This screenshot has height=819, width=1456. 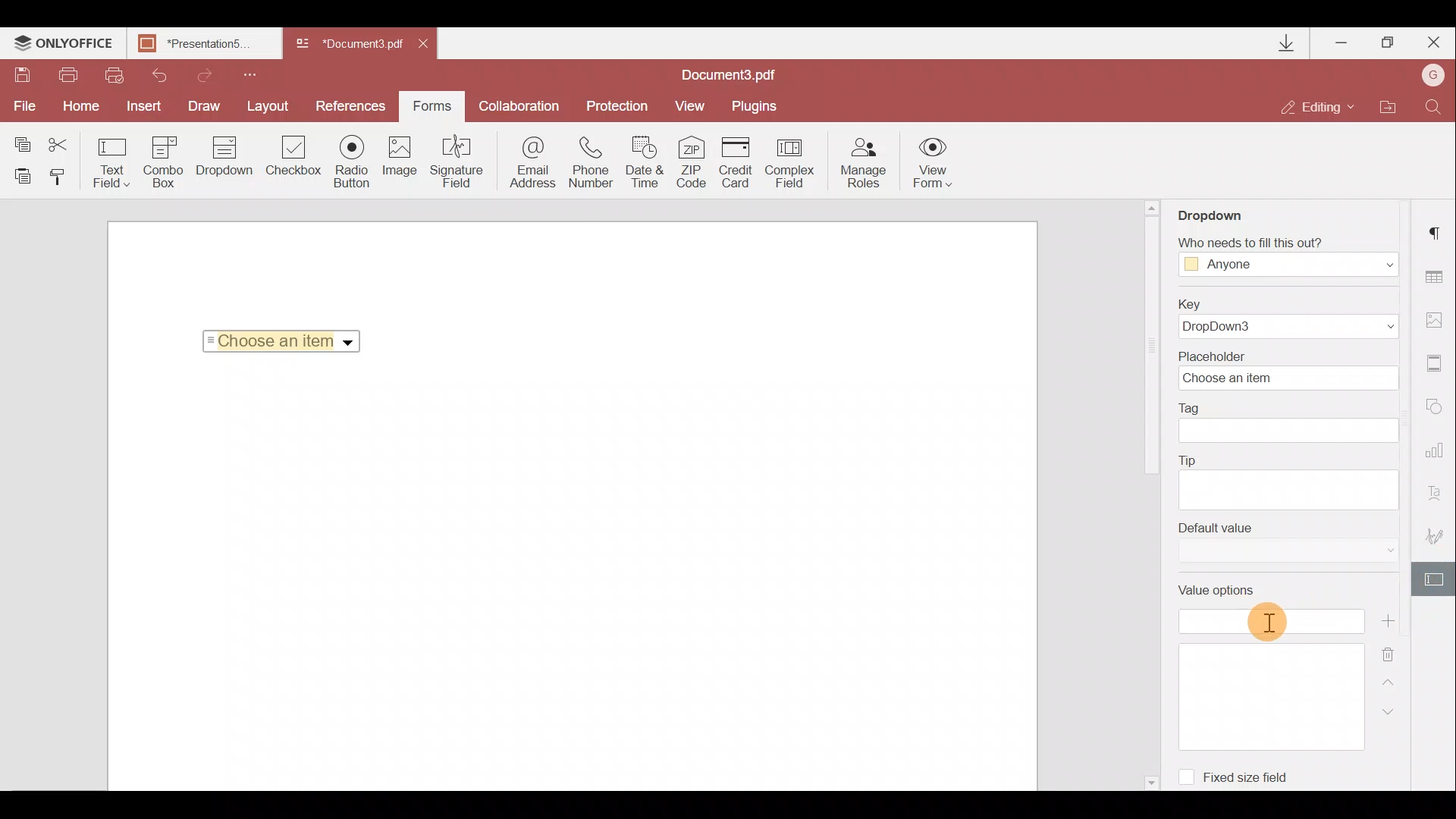 What do you see at coordinates (1295, 424) in the screenshot?
I see `Tag` at bounding box center [1295, 424].